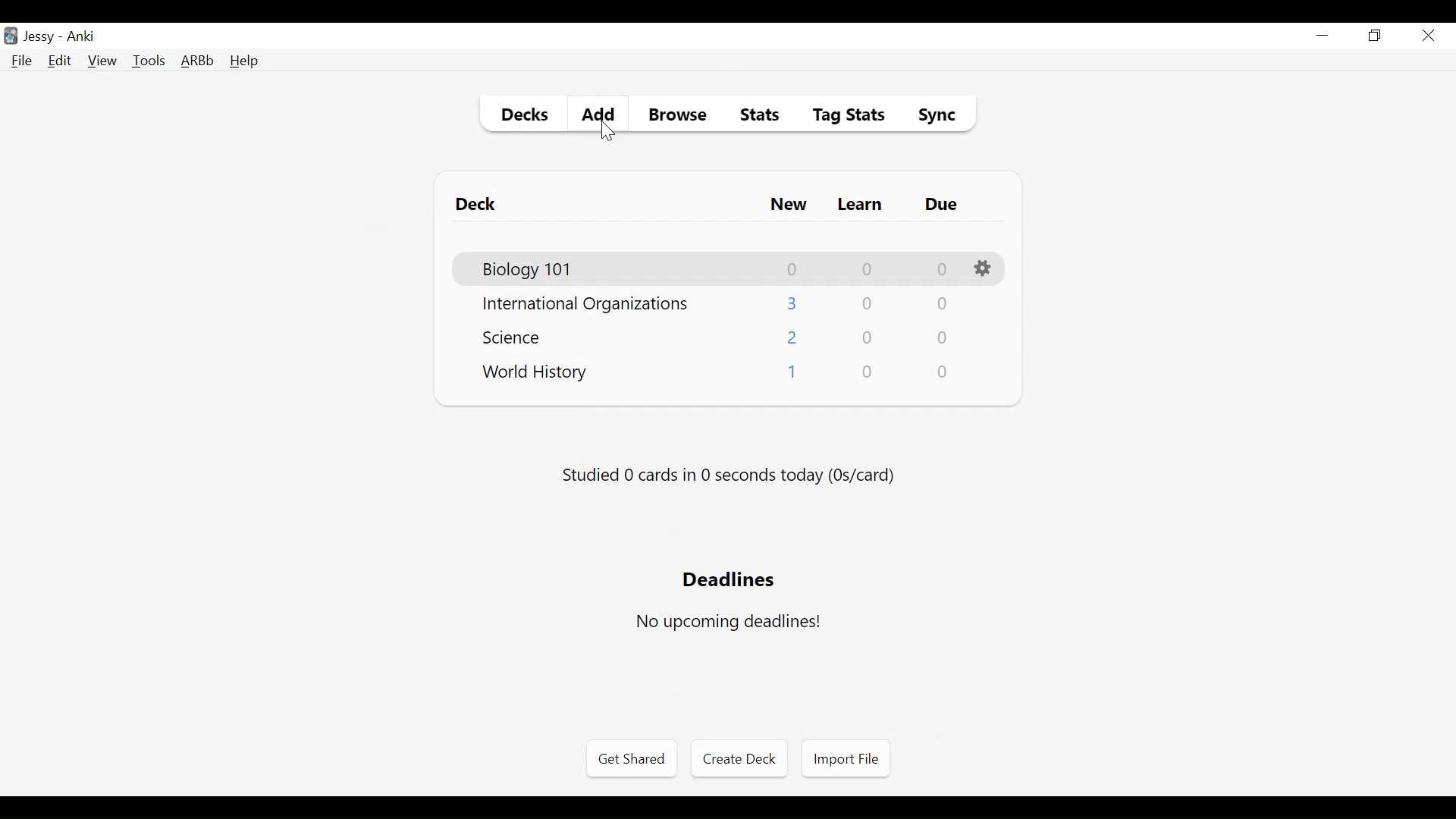  I want to click on Cursor, so click(608, 130).